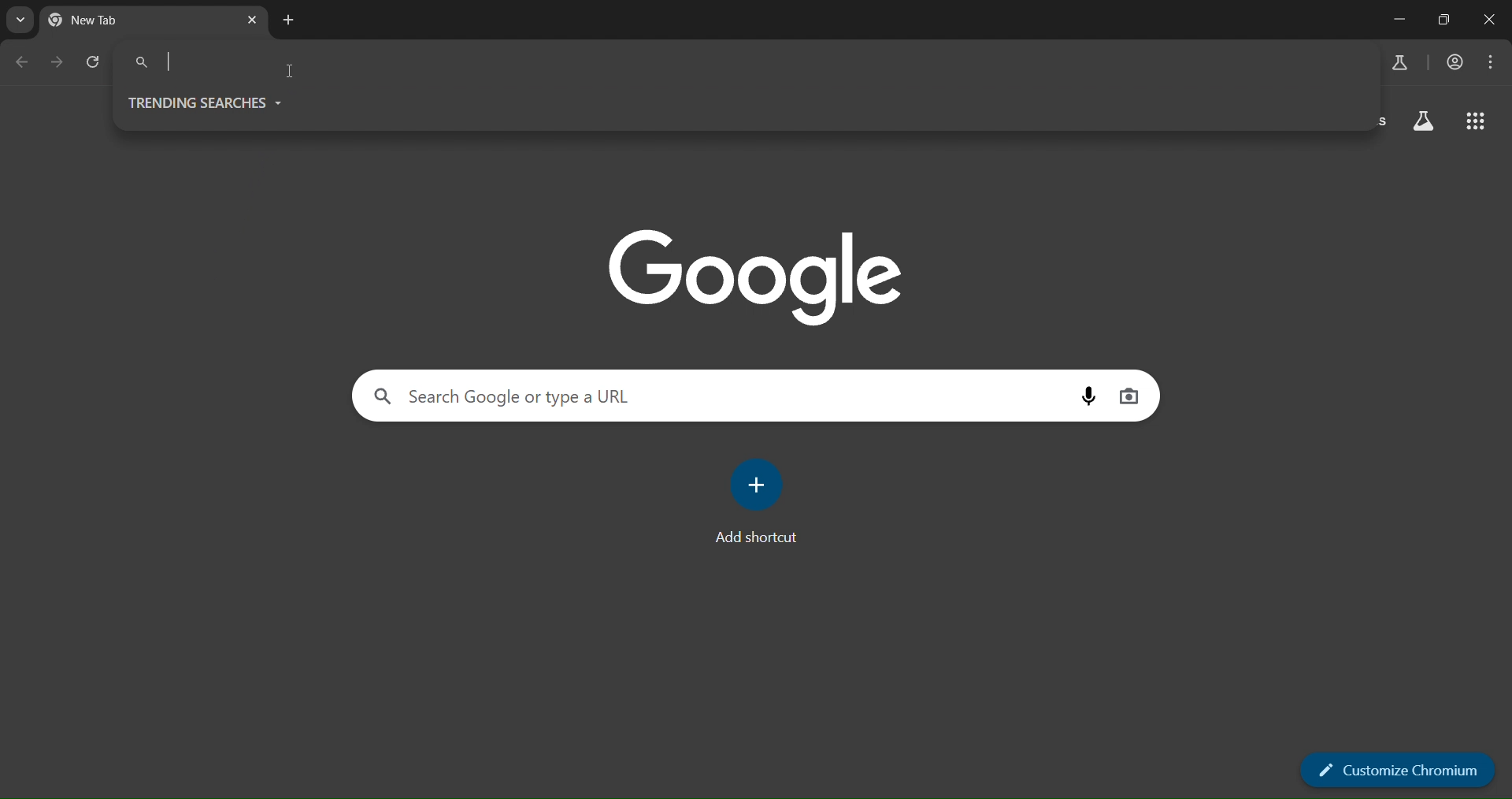 The height and width of the screenshot is (799, 1512). What do you see at coordinates (1492, 20) in the screenshot?
I see `close` at bounding box center [1492, 20].